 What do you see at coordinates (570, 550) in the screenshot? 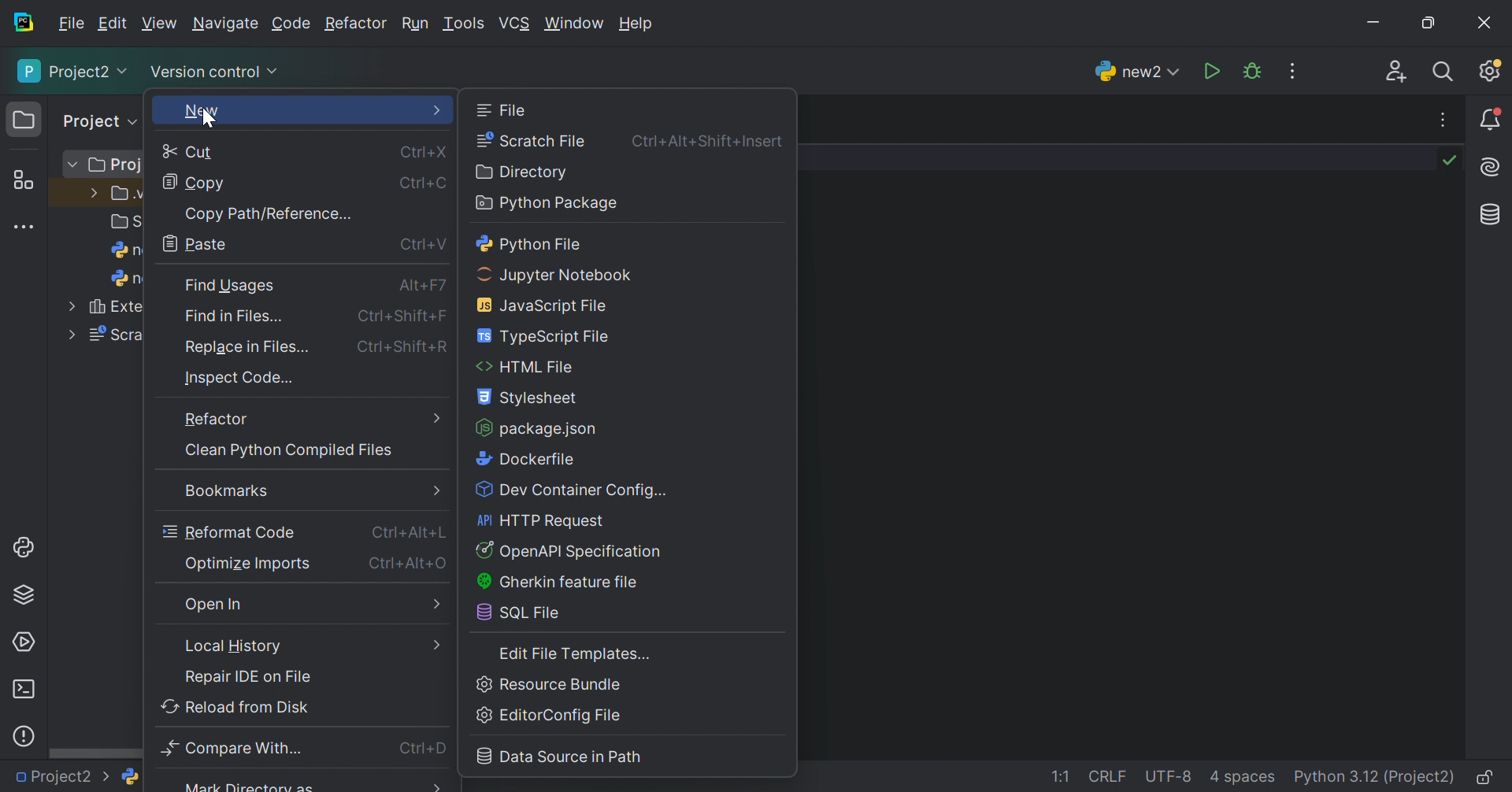
I see `` at bounding box center [570, 550].